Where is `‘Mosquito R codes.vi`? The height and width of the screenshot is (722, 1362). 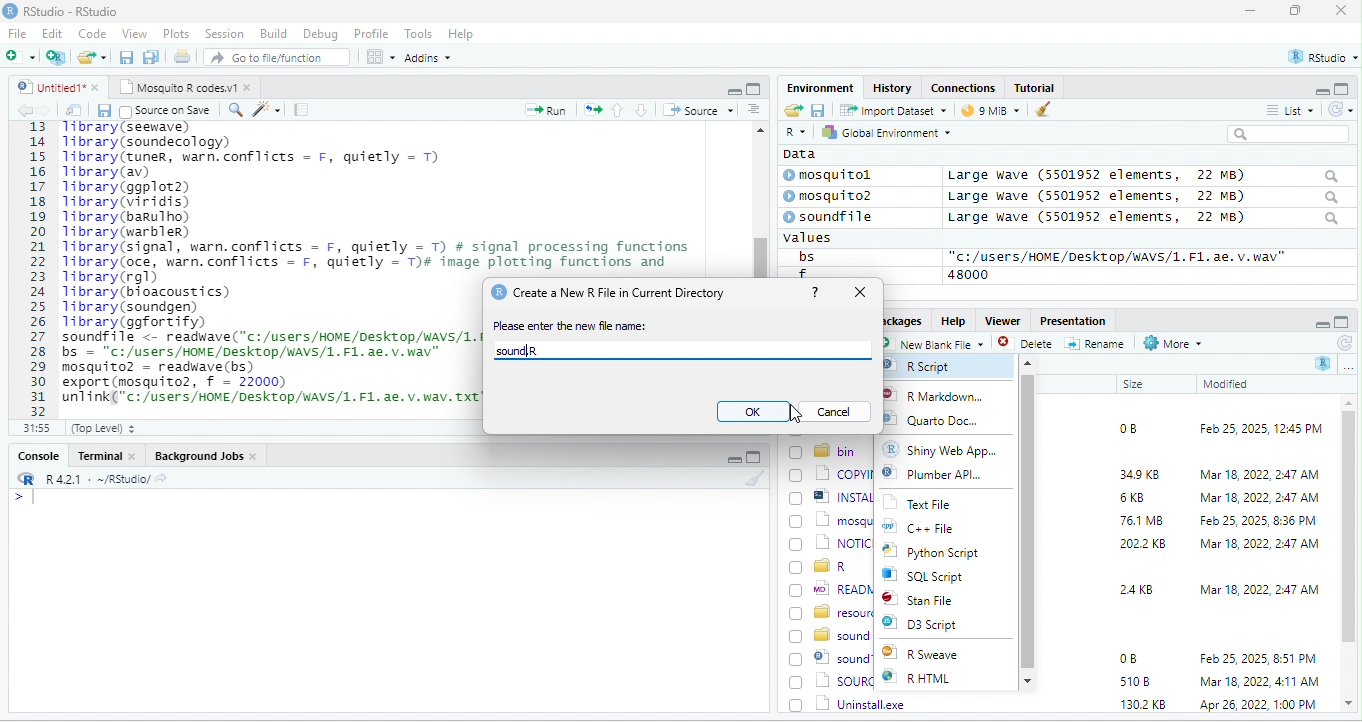 ‘Mosquito R codes.vi is located at coordinates (181, 86).